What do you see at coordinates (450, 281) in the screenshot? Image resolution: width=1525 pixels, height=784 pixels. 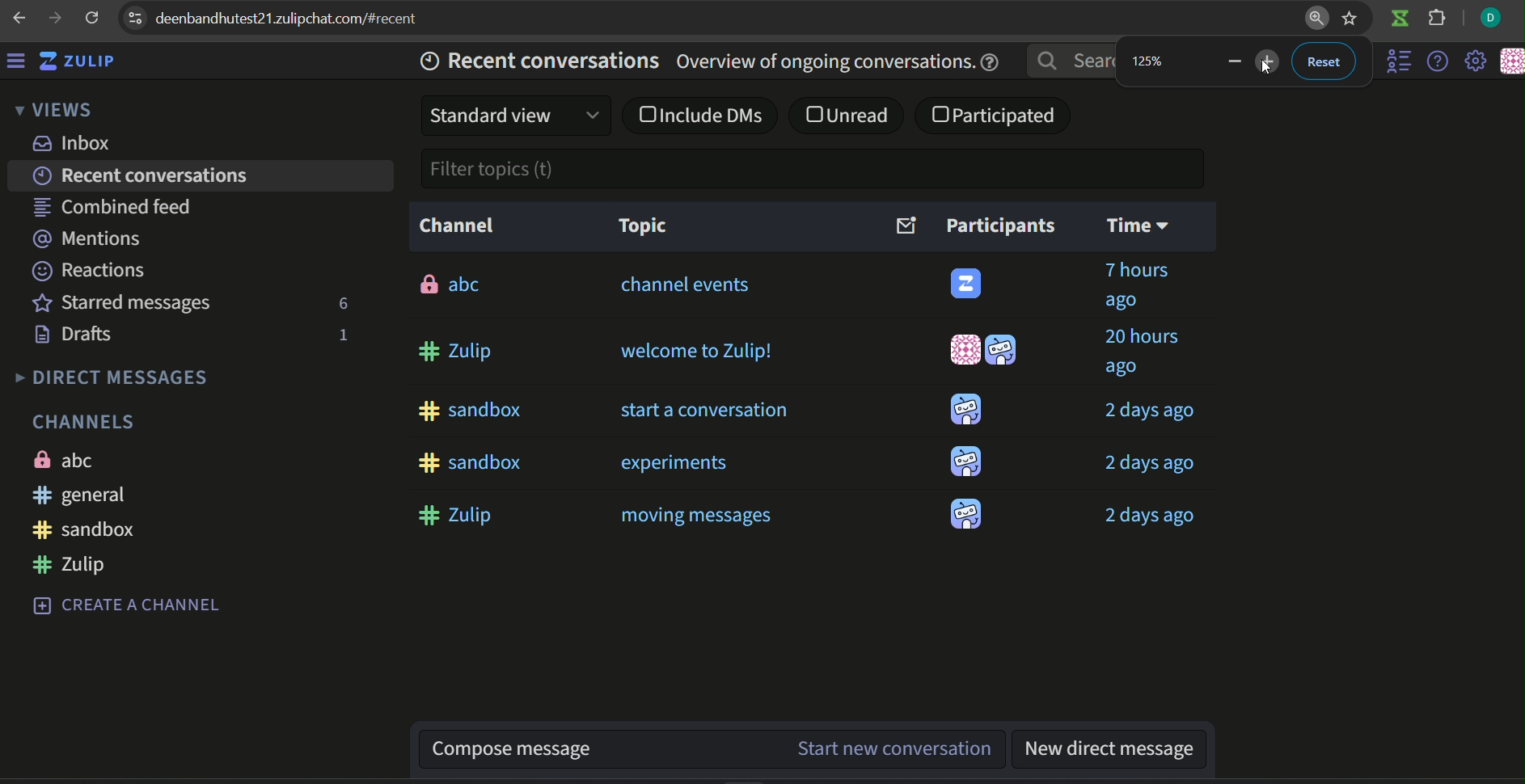 I see `abc` at bounding box center [450, 281].